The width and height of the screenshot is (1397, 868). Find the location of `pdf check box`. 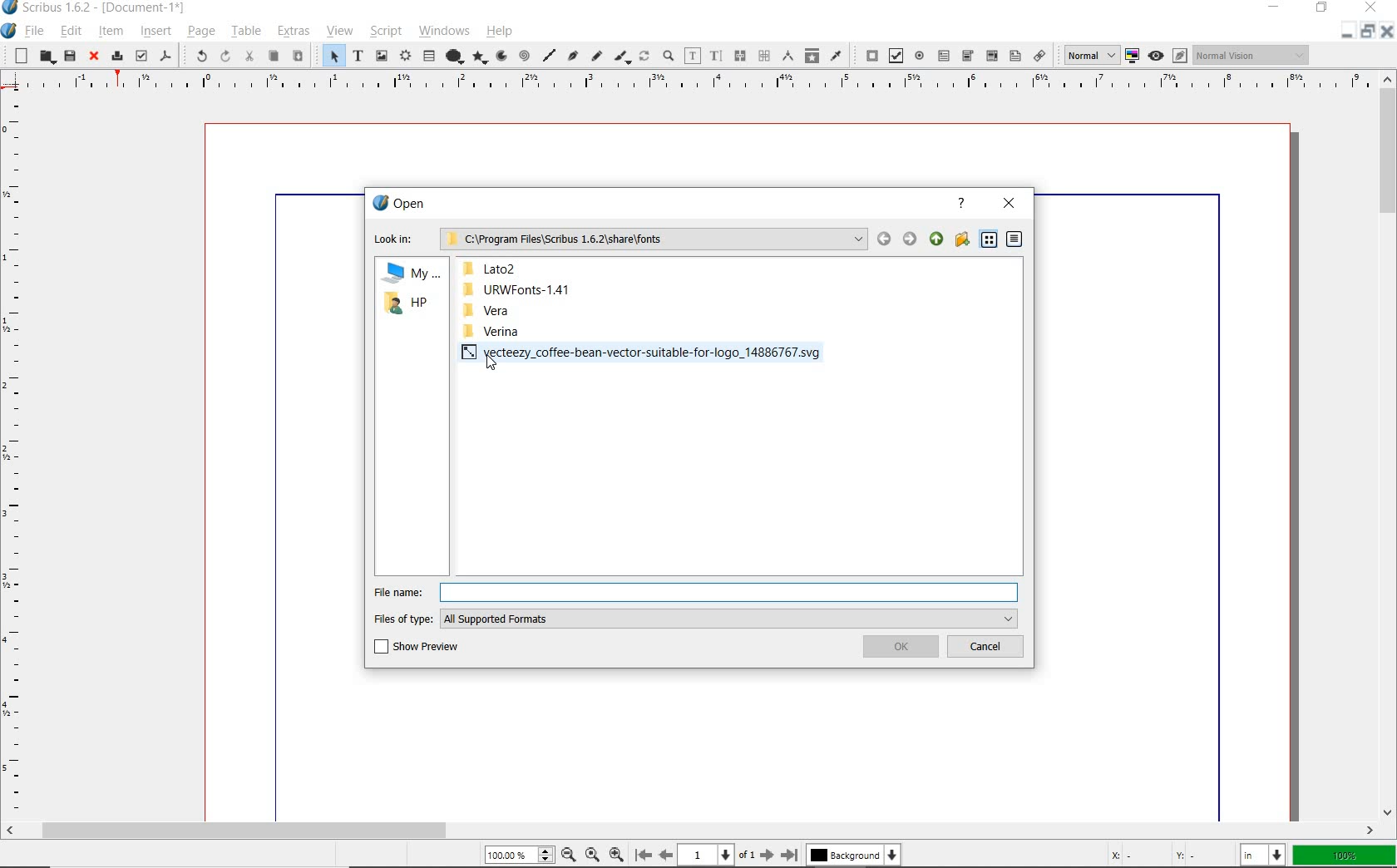

pdf check box is located at coordinates (896, 56).